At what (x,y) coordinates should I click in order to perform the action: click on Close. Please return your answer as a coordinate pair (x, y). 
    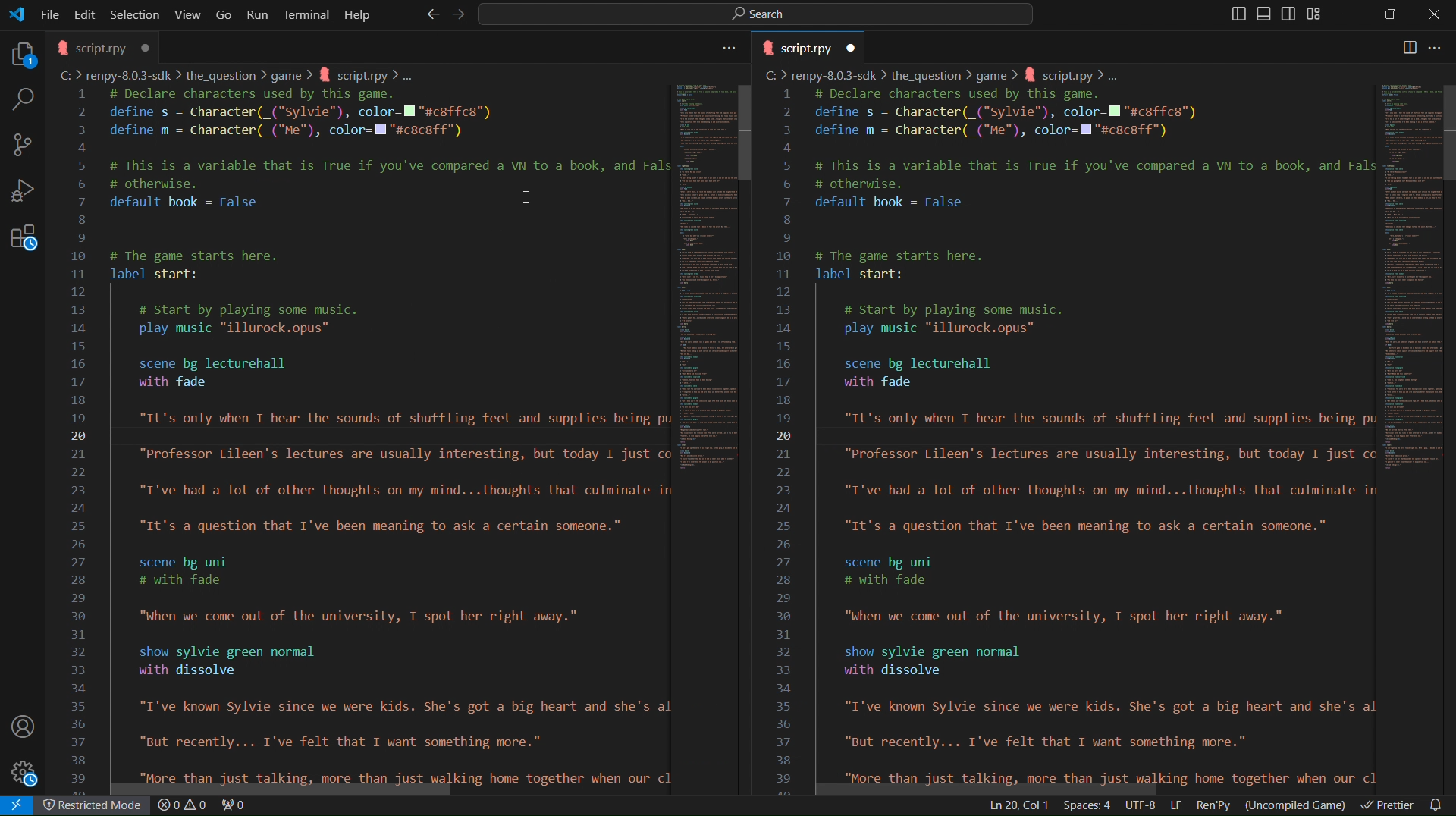
    Looking at the image, I should click on (1433, 14).